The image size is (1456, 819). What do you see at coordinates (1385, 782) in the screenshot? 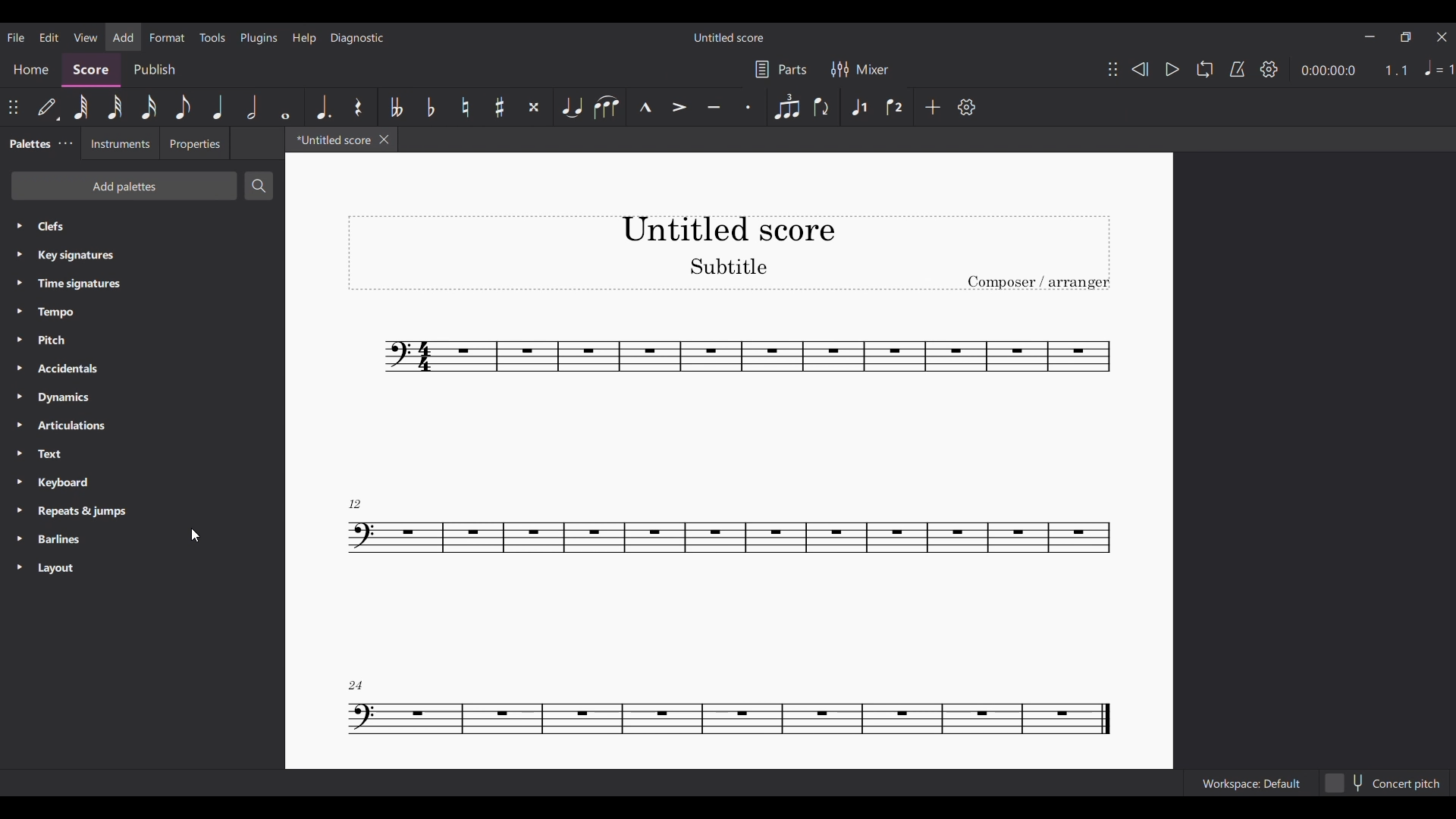
I see `concert pitch` at bounding box center [1385, 782].